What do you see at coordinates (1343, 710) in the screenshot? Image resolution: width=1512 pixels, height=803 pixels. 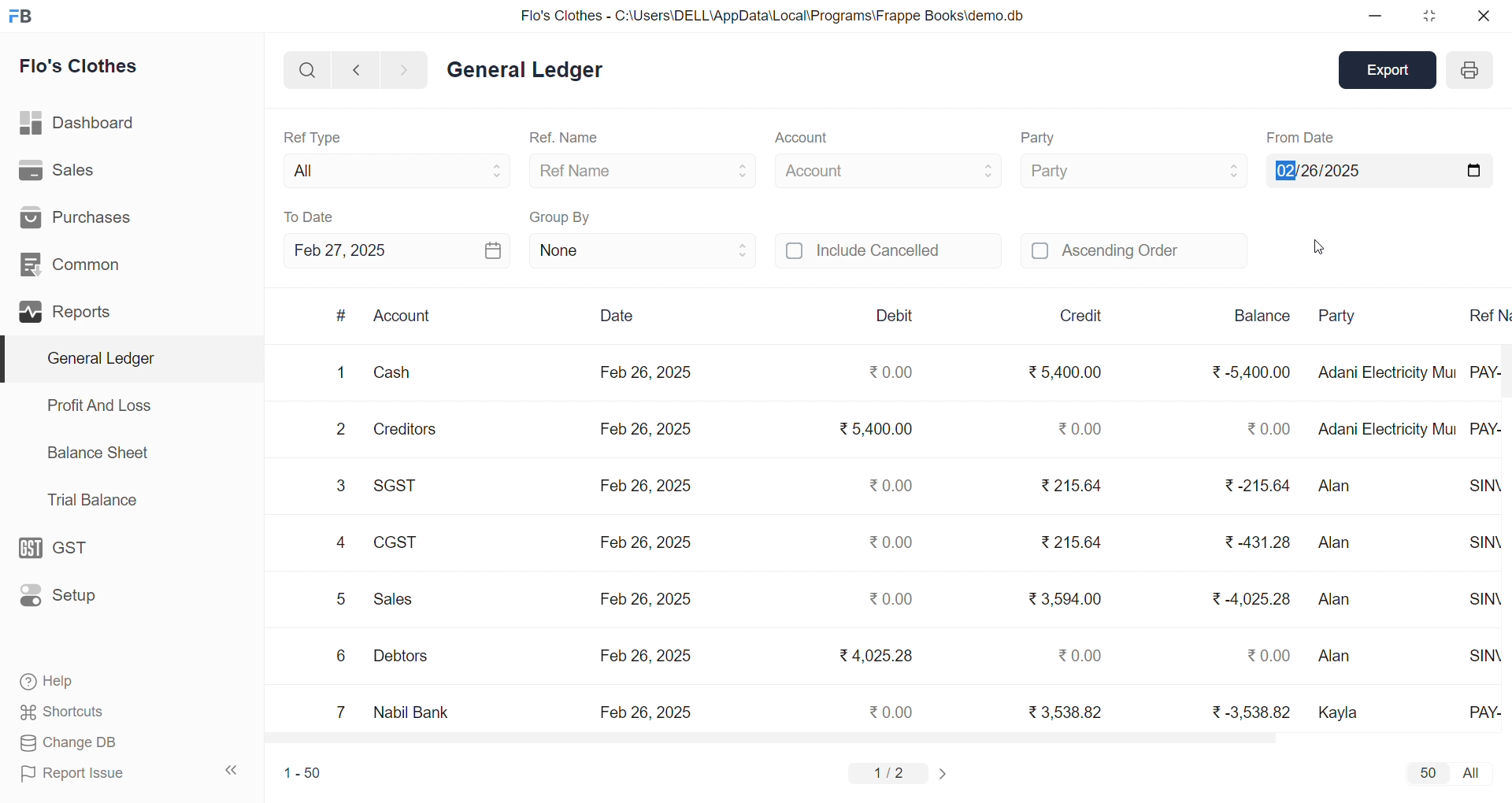 I see `Kayla` at bounding box center [1343, 710].